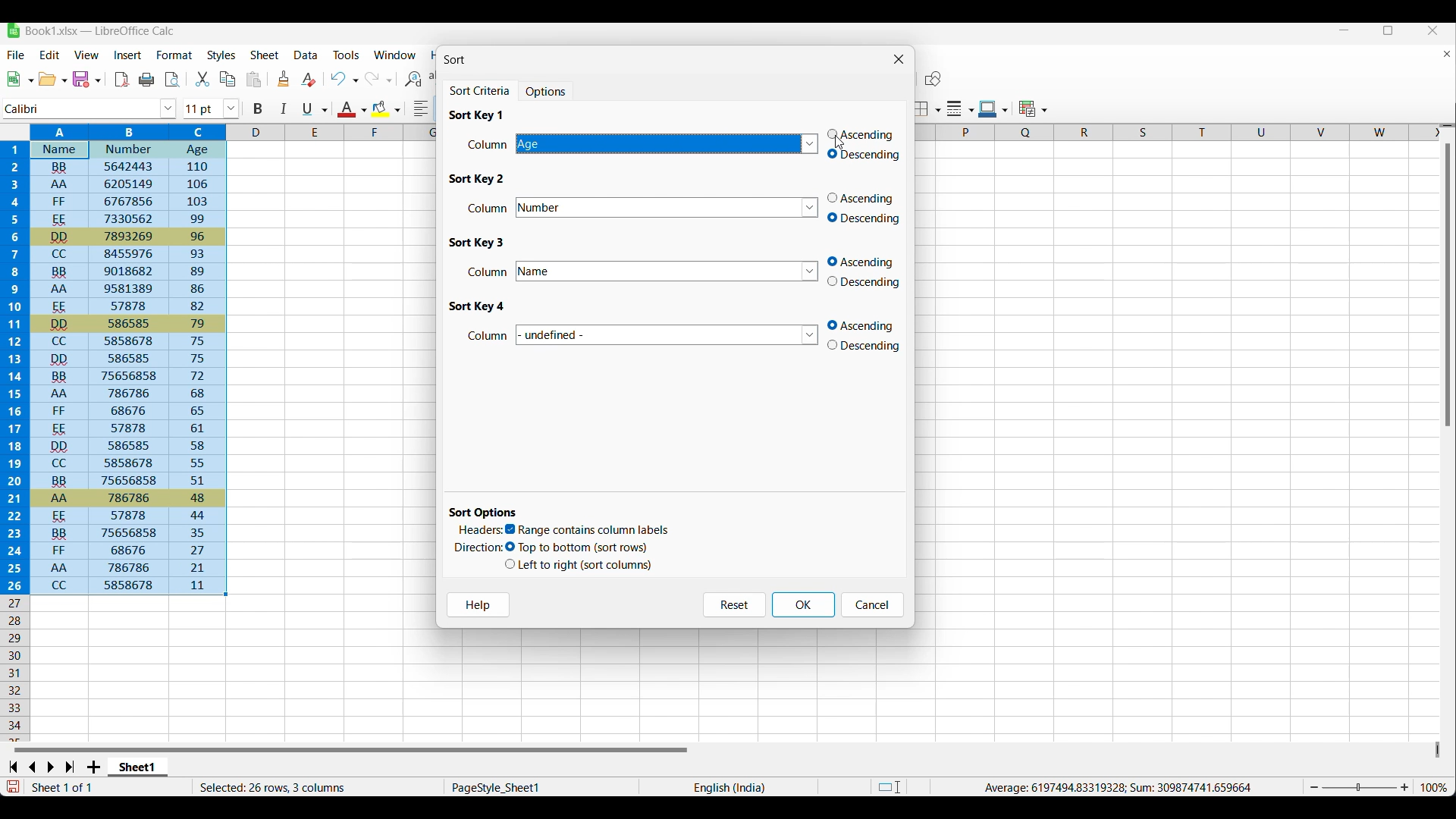 The height and width of the screenshot is (819, 1456). I want to click on Section title, so click(484, 513).